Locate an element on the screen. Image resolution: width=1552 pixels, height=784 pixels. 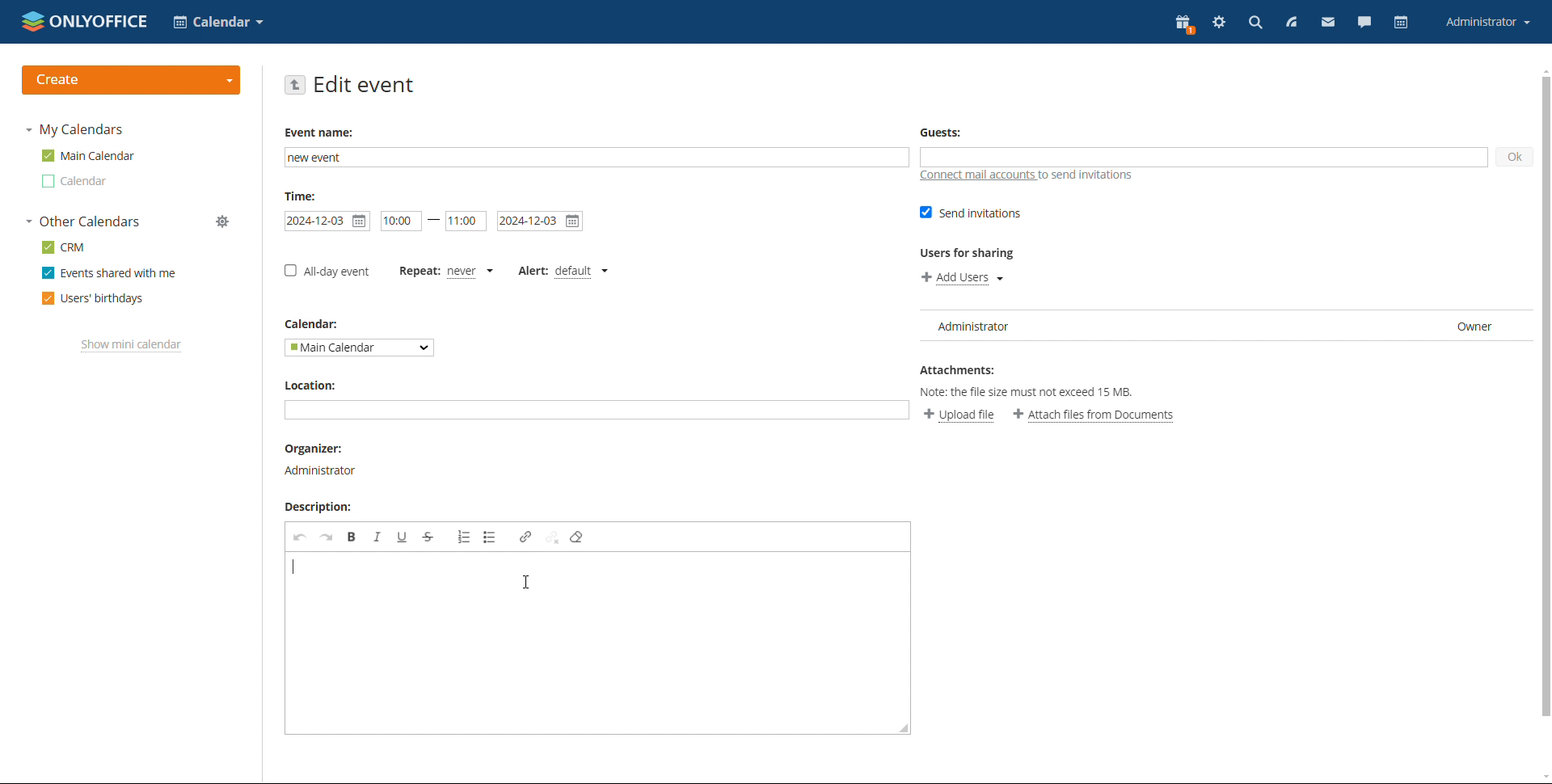
strikethrough is located at coordinates (428, 537).